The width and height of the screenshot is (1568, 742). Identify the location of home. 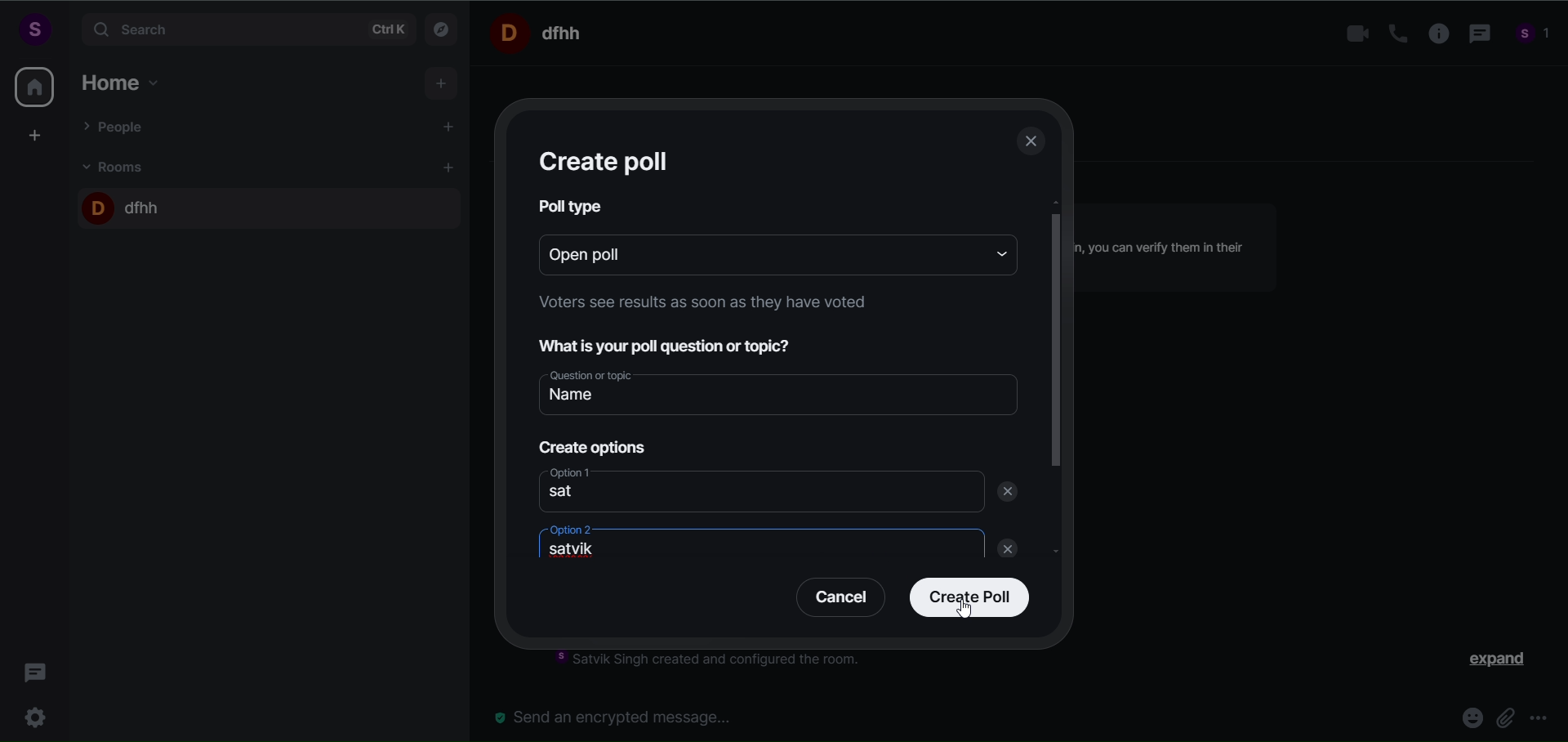
(34, 87).